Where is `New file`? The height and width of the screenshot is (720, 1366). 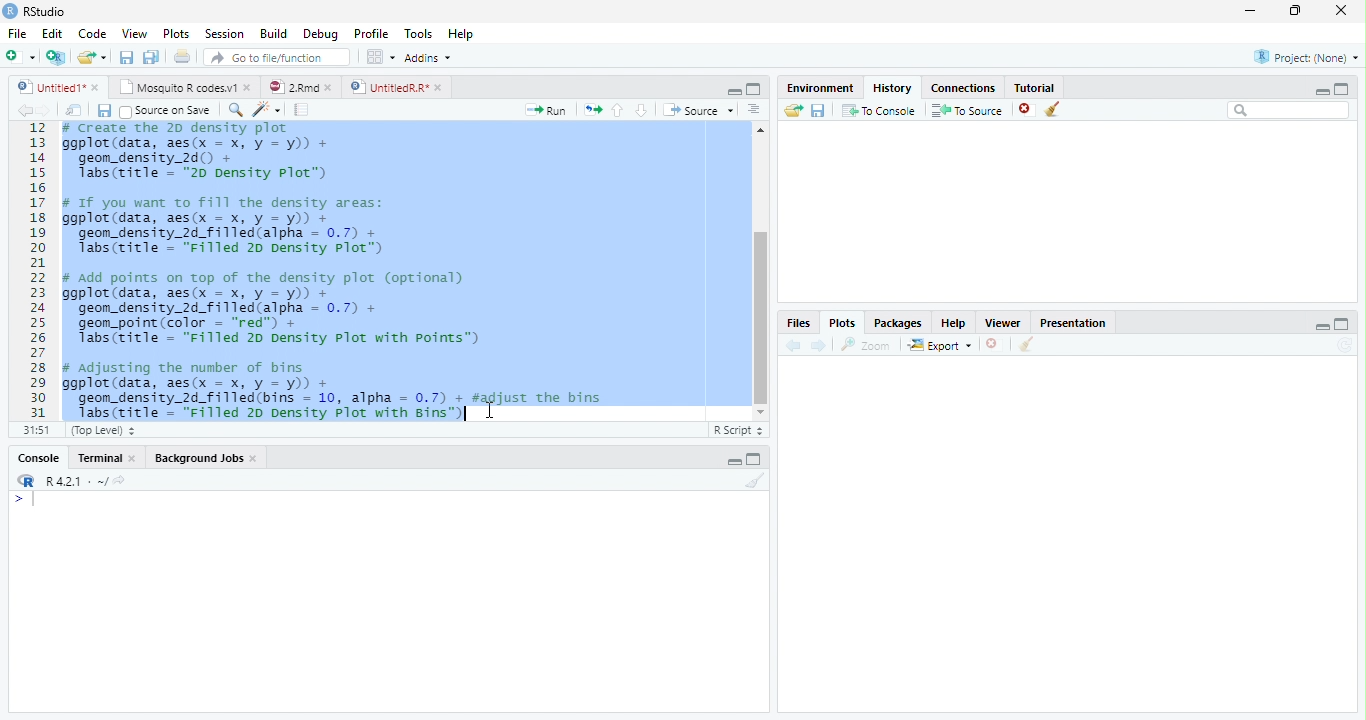
New file is located at coordinates (20, 57).